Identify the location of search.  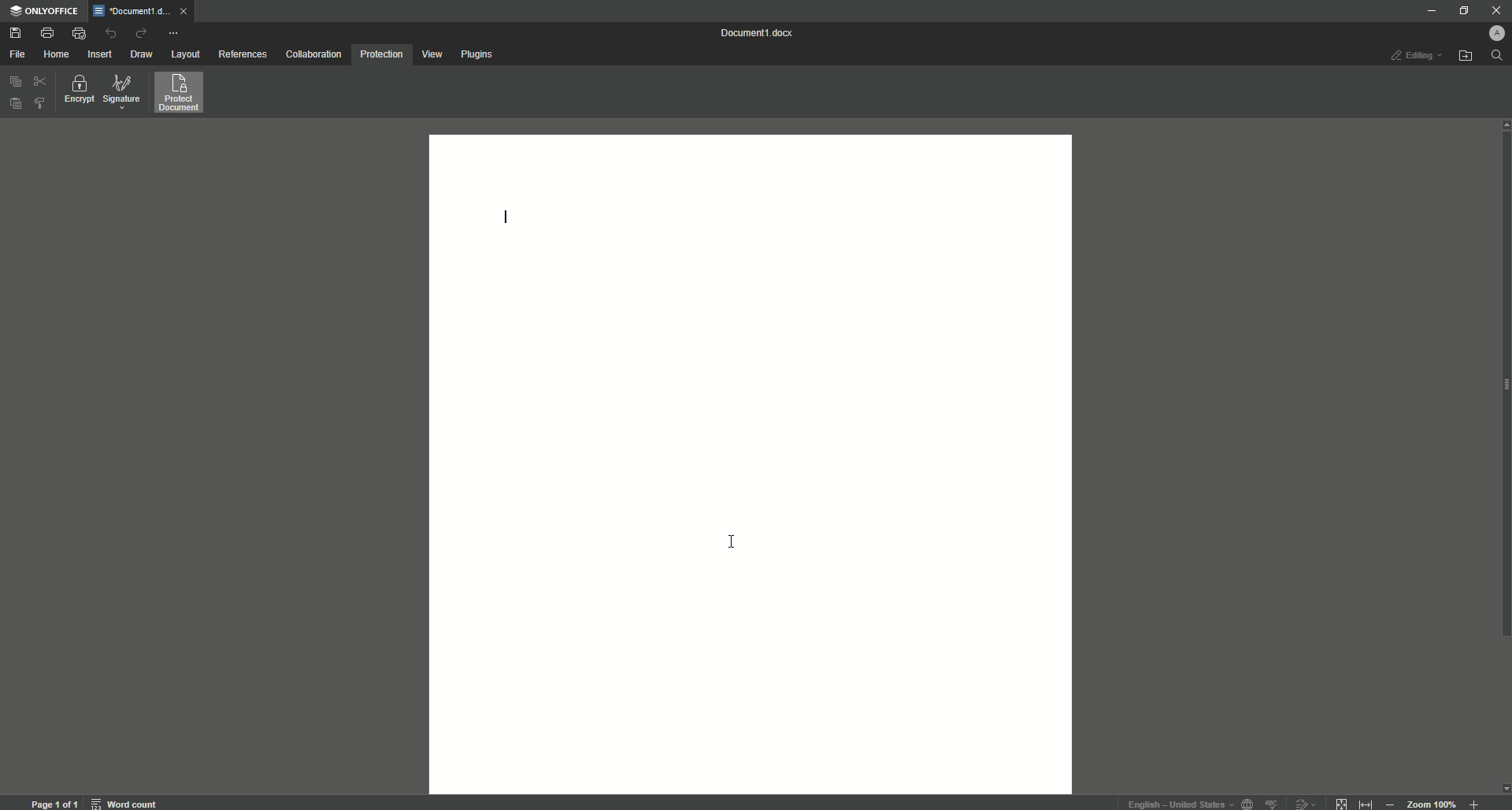
(1495, 57).